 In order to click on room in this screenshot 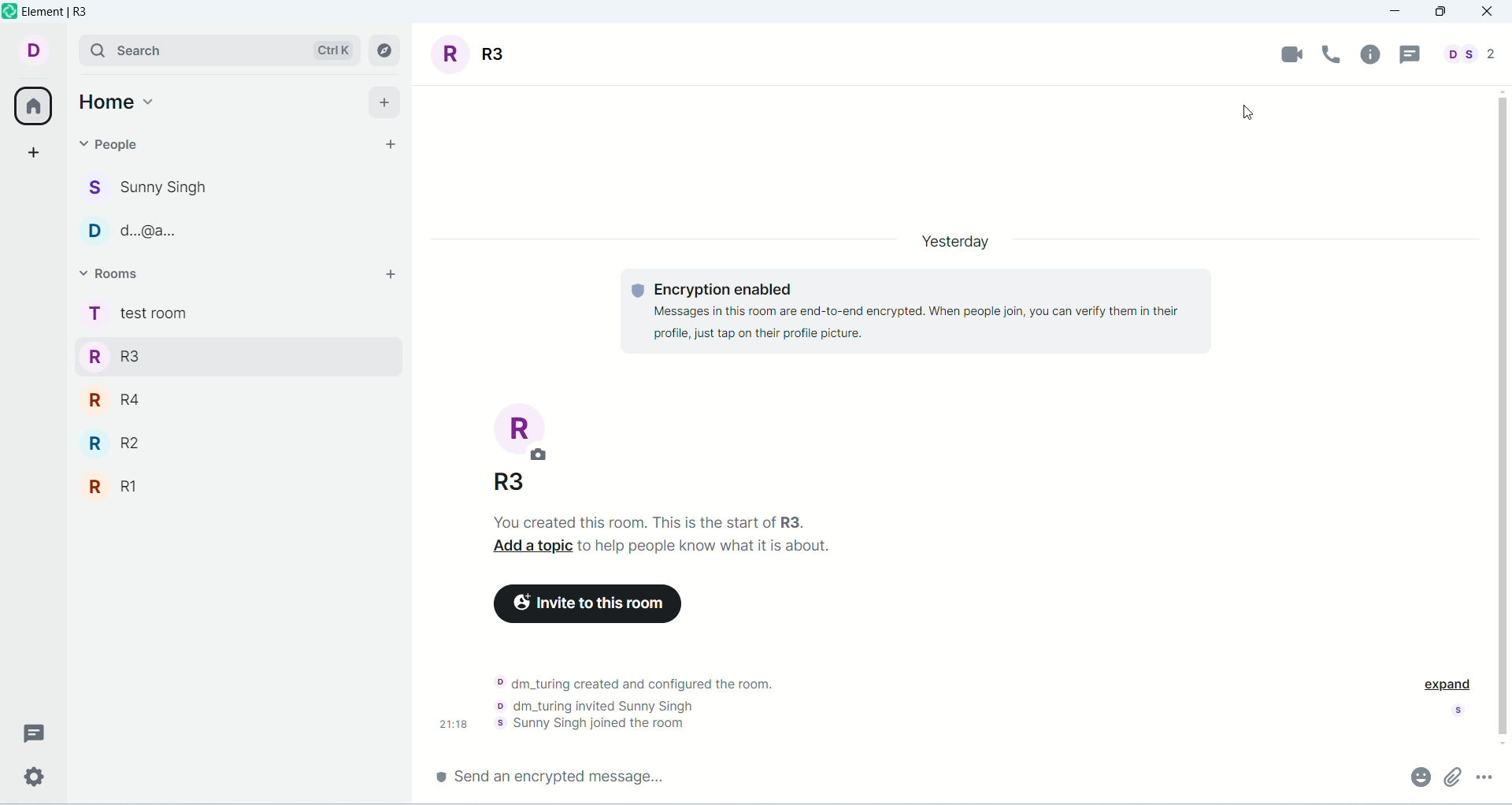, I will do `click(527, 428)`.